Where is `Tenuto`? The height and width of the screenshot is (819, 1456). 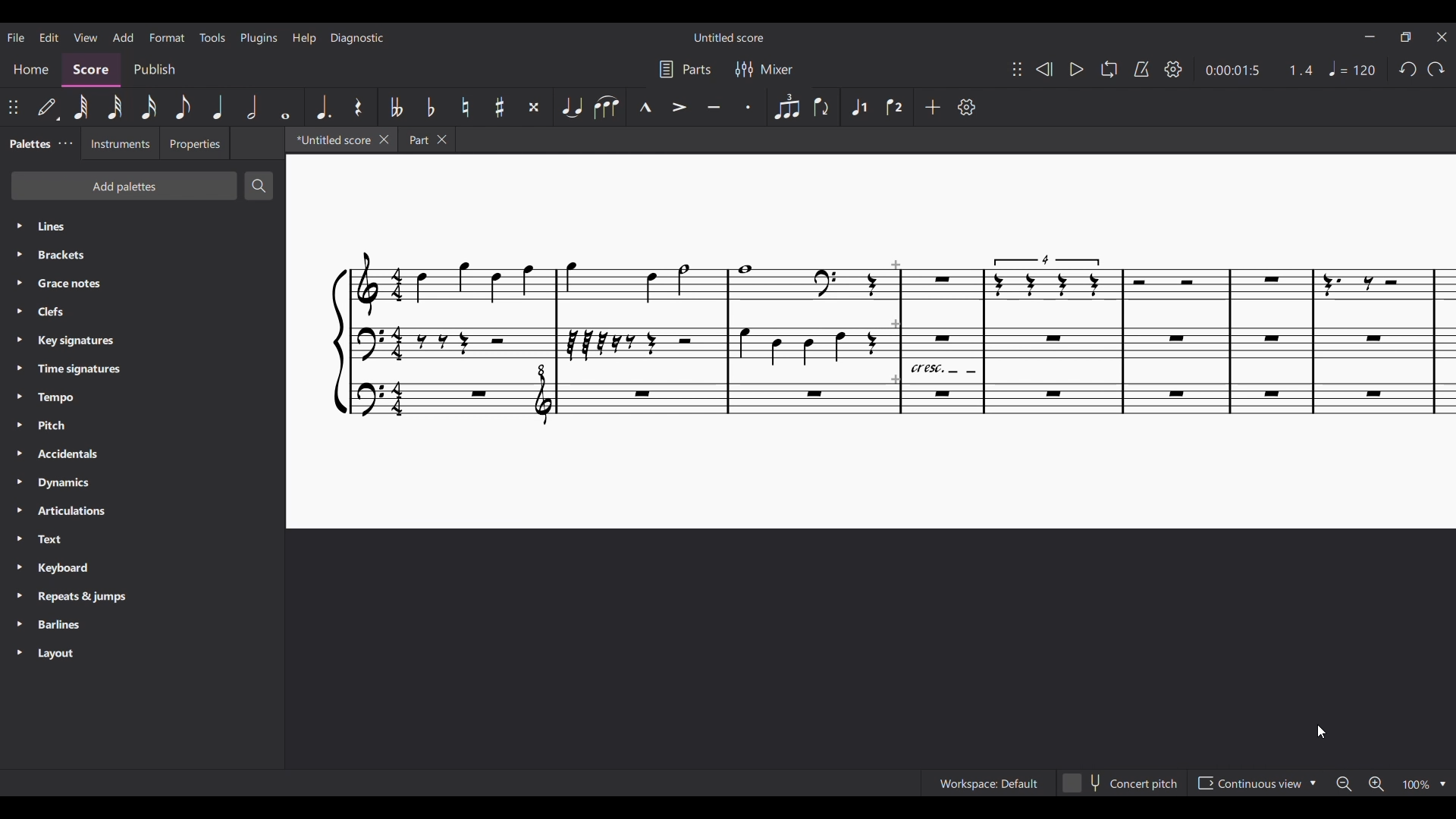 Tenuto is located at coordinates (714, 107).